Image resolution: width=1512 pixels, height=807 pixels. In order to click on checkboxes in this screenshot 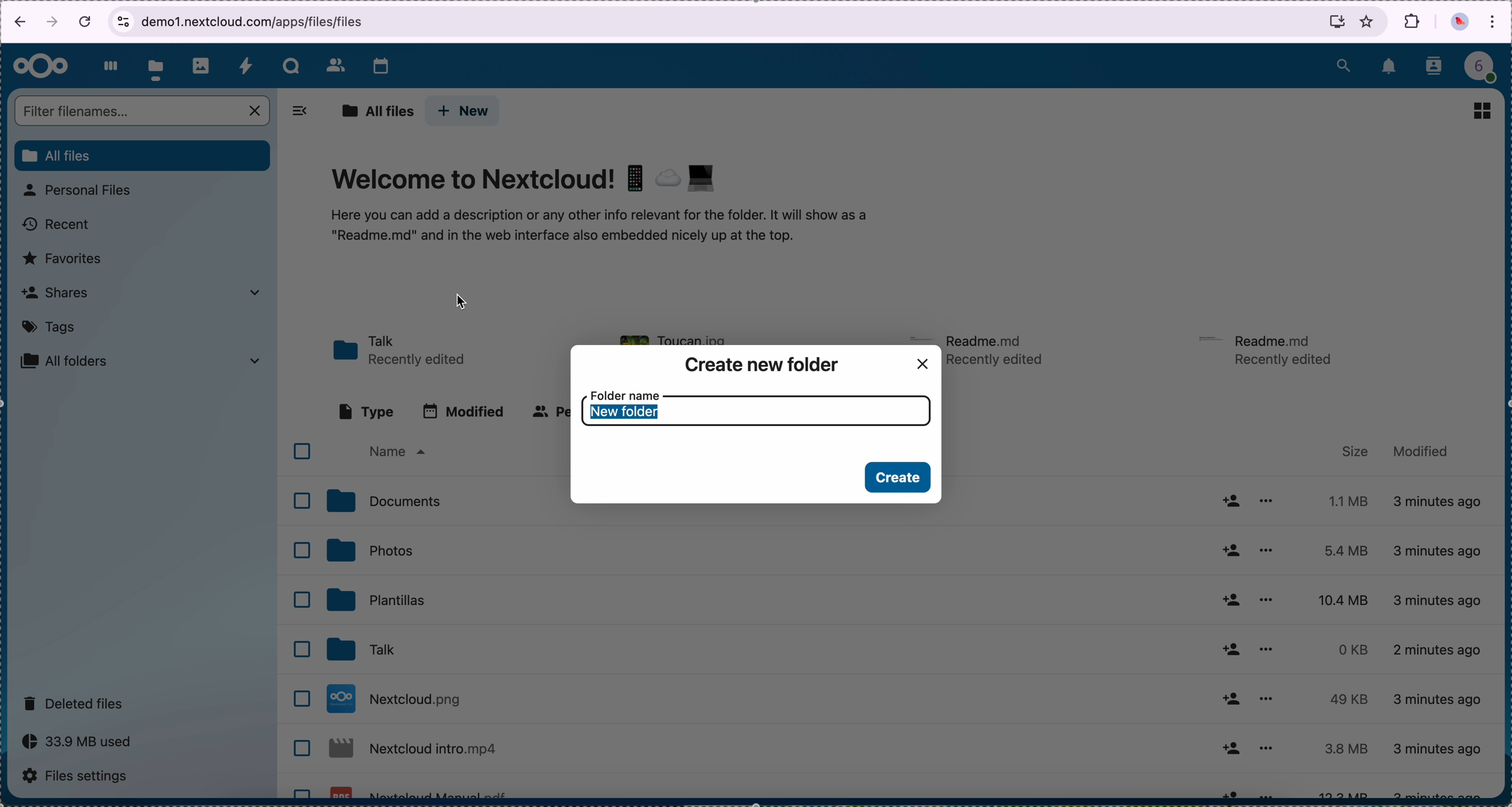, I will do `click(301, 618)`.